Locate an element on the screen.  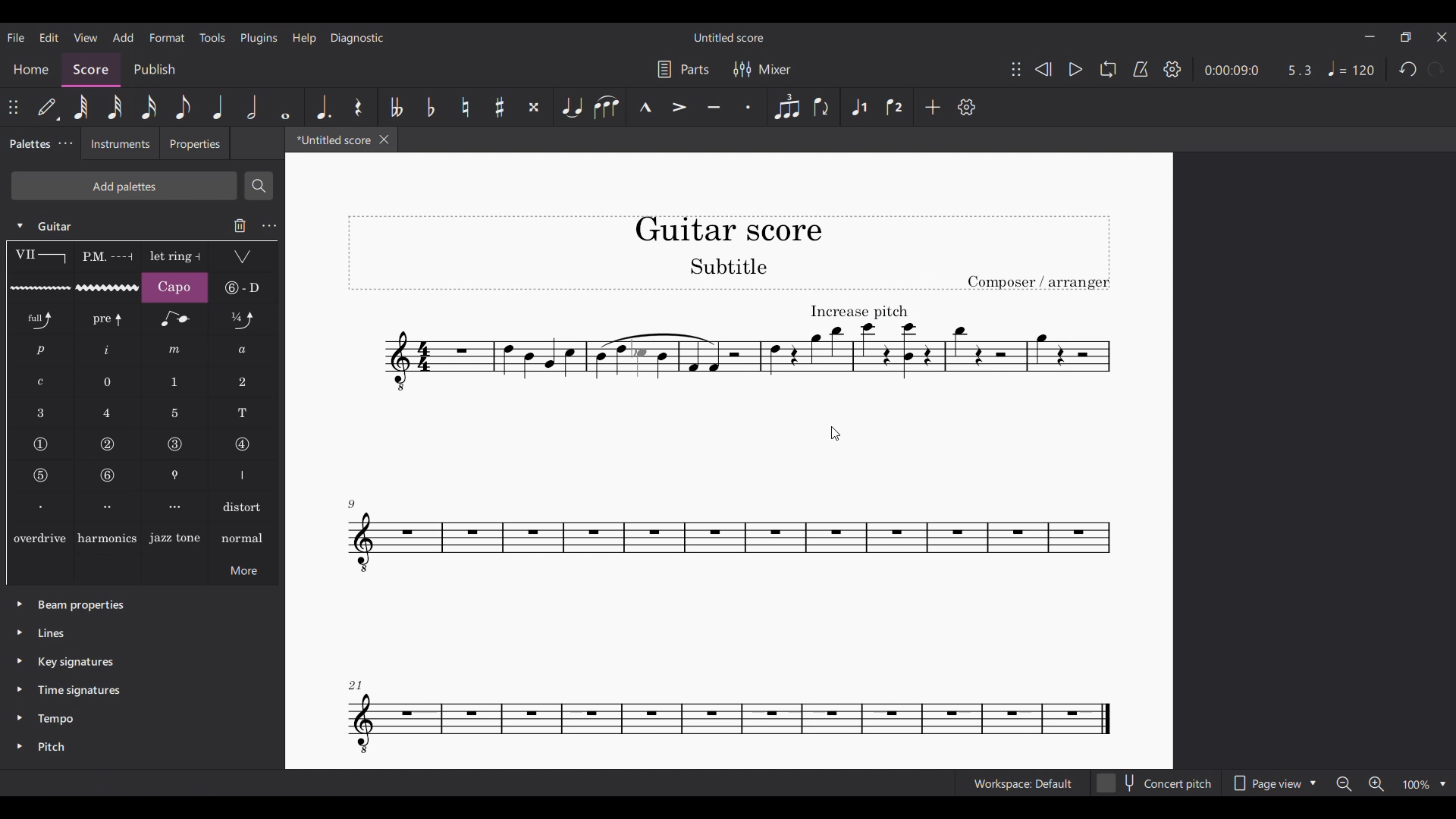
Current ratio is located at coordinates (1300, 71).